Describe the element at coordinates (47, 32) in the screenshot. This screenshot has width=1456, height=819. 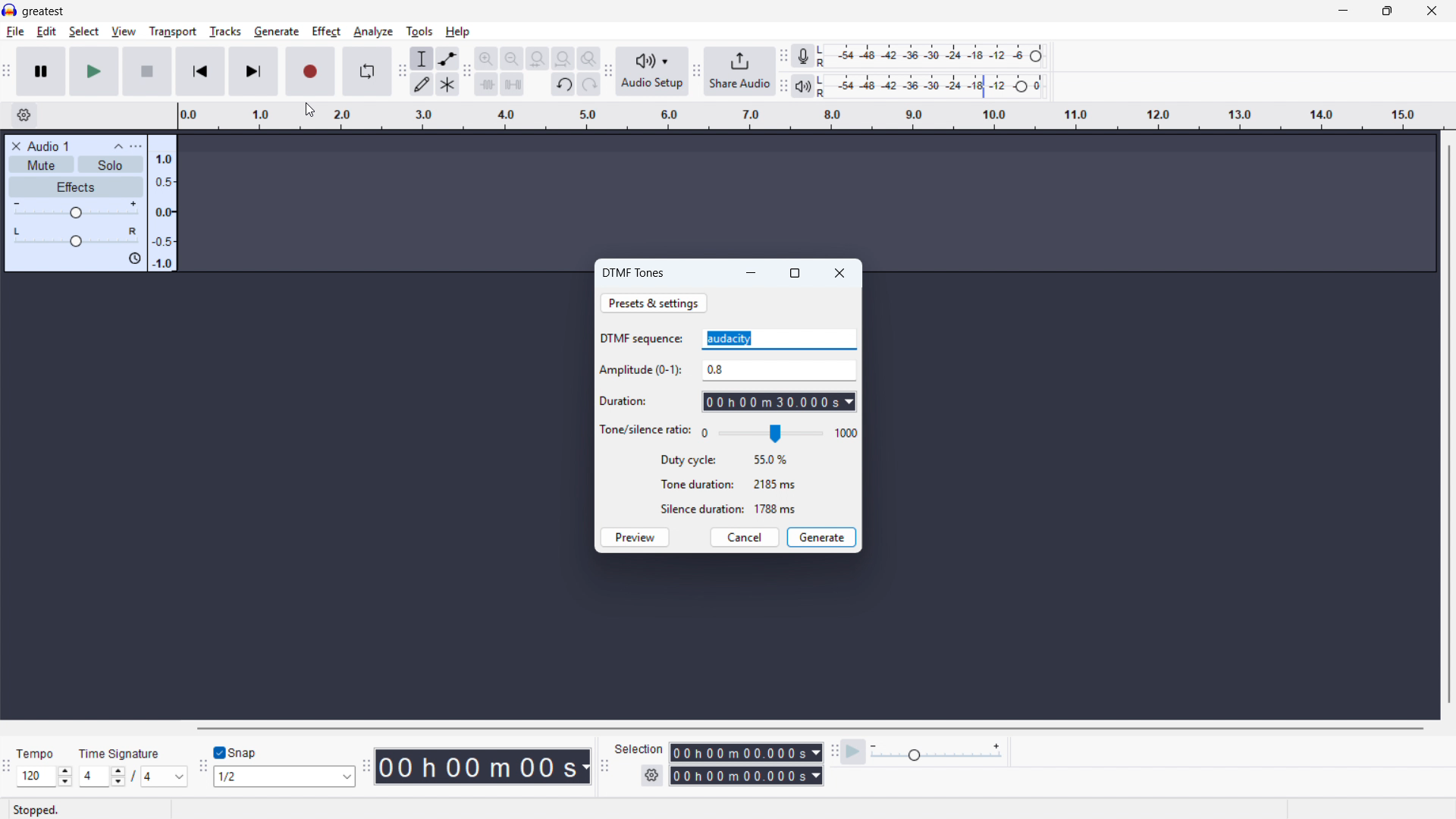
I see `edit` at that location.